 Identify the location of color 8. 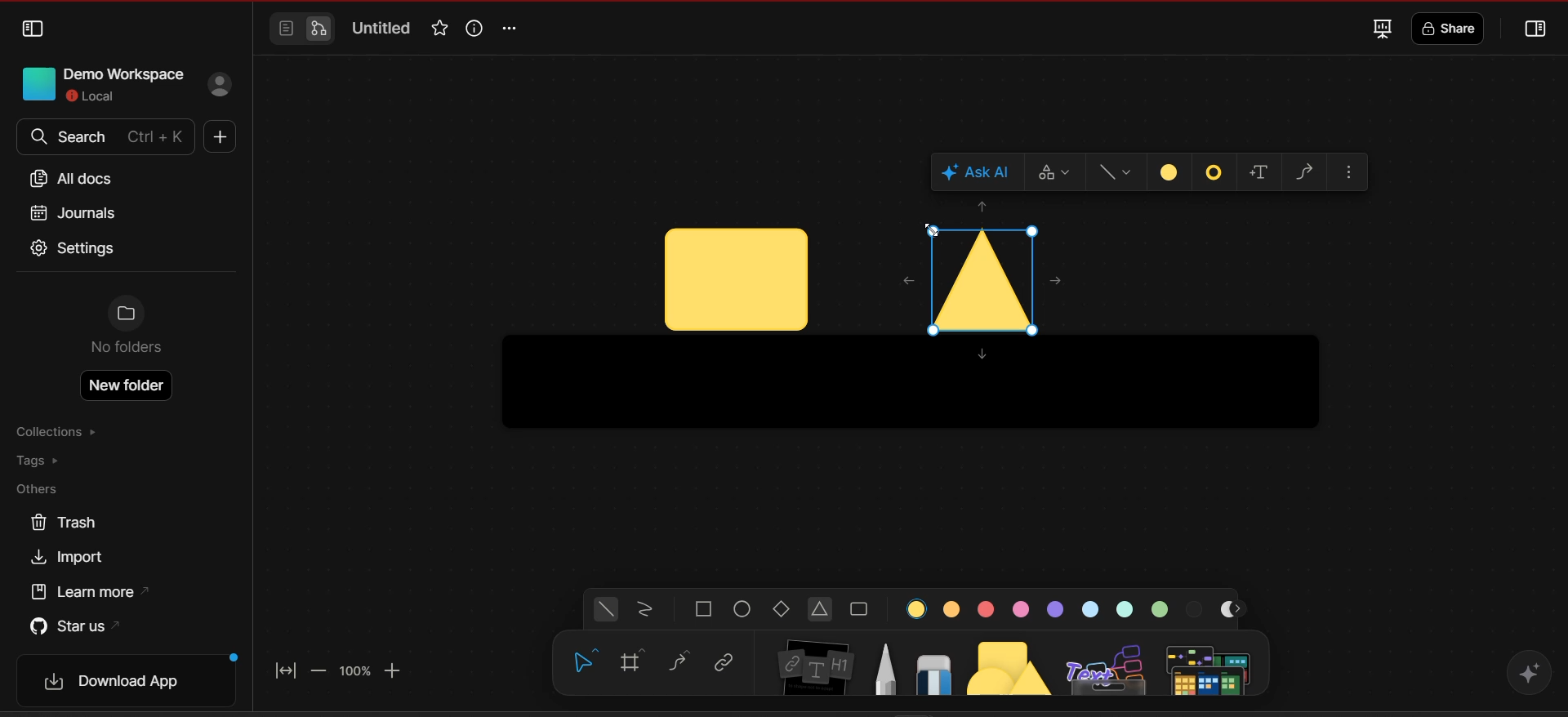
(1162, 608).